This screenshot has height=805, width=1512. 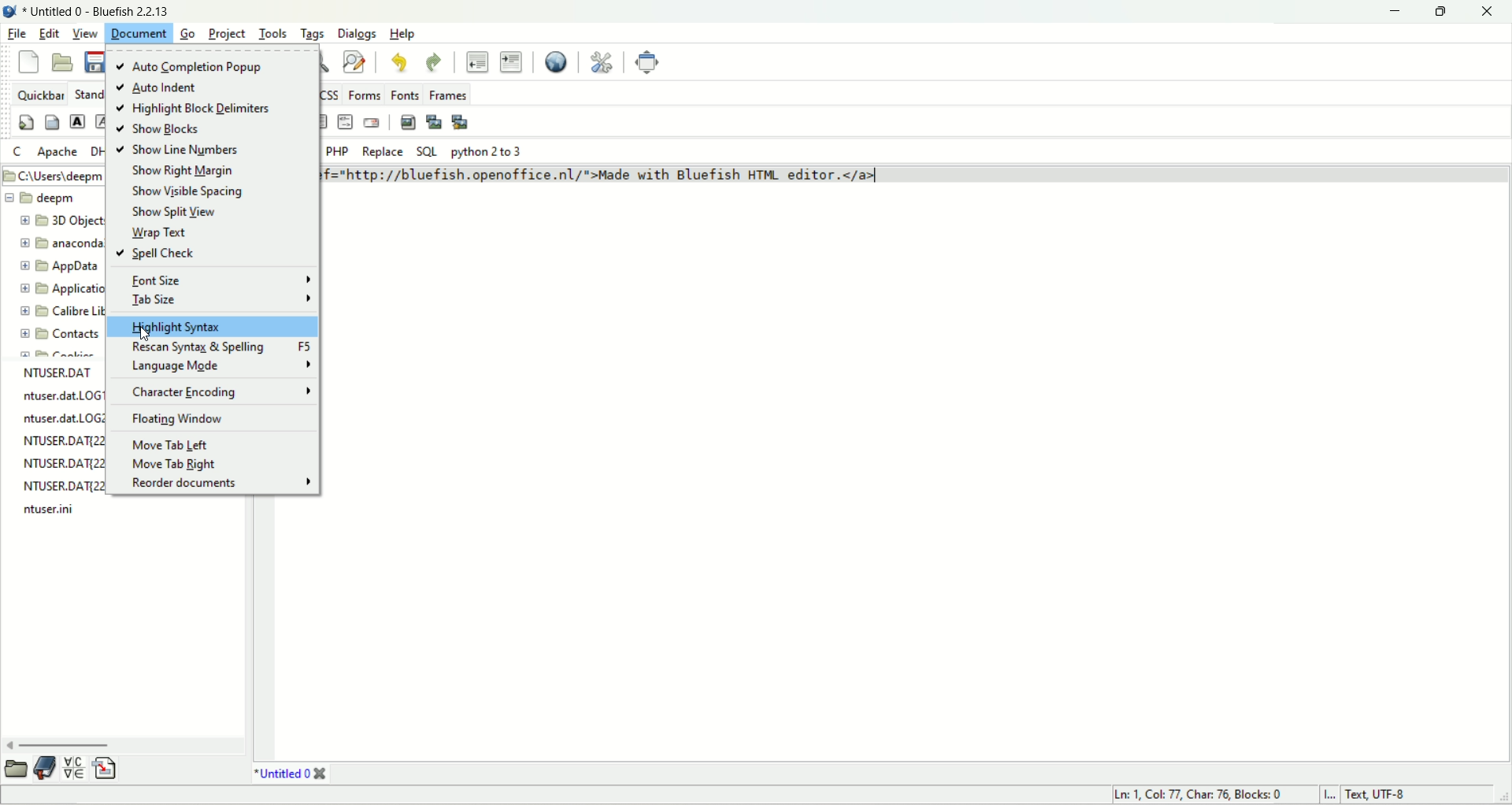 I want to click on title, so click(x=101, y=13).